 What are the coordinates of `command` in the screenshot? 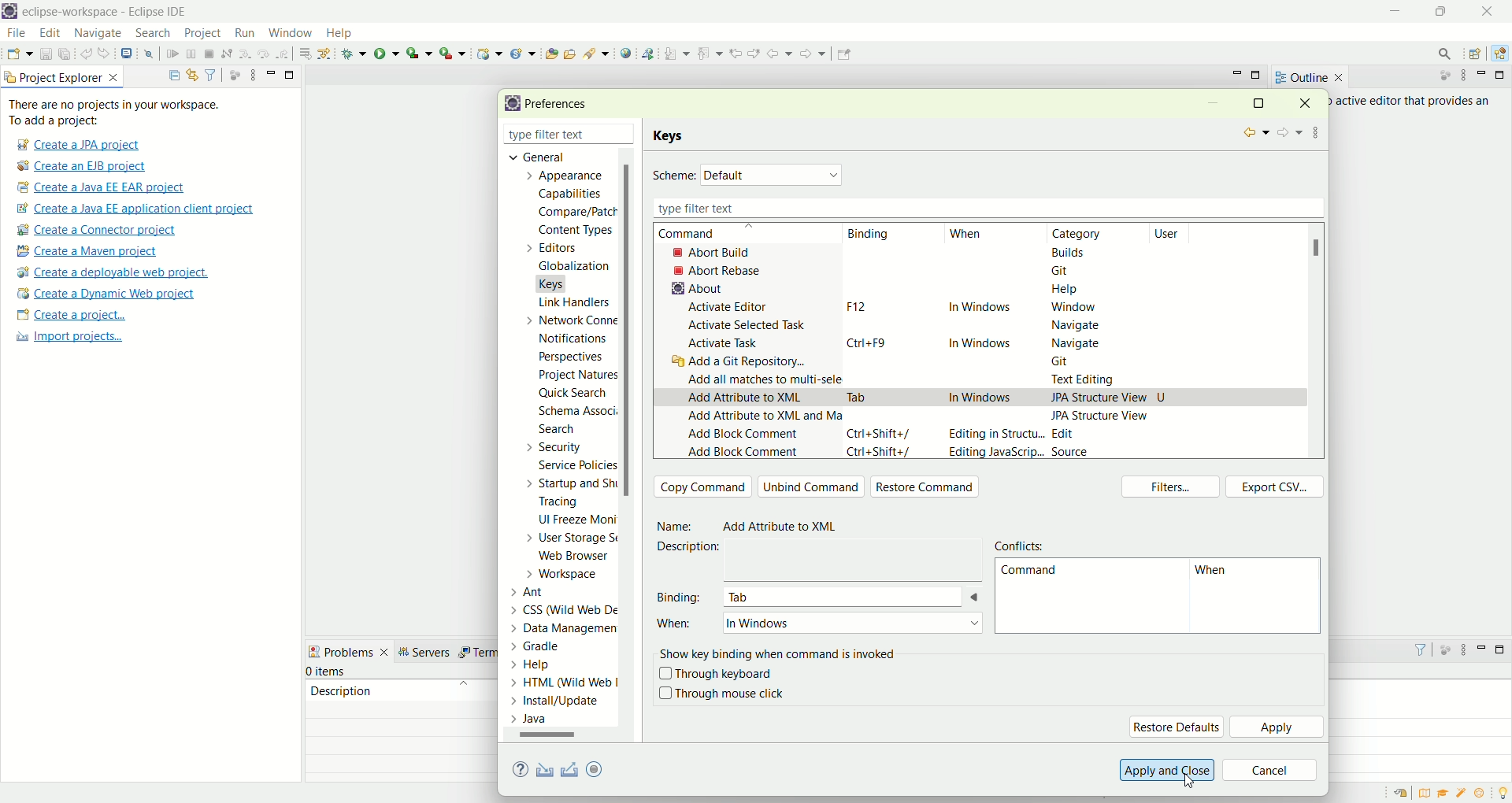 It's located at (703, 234).